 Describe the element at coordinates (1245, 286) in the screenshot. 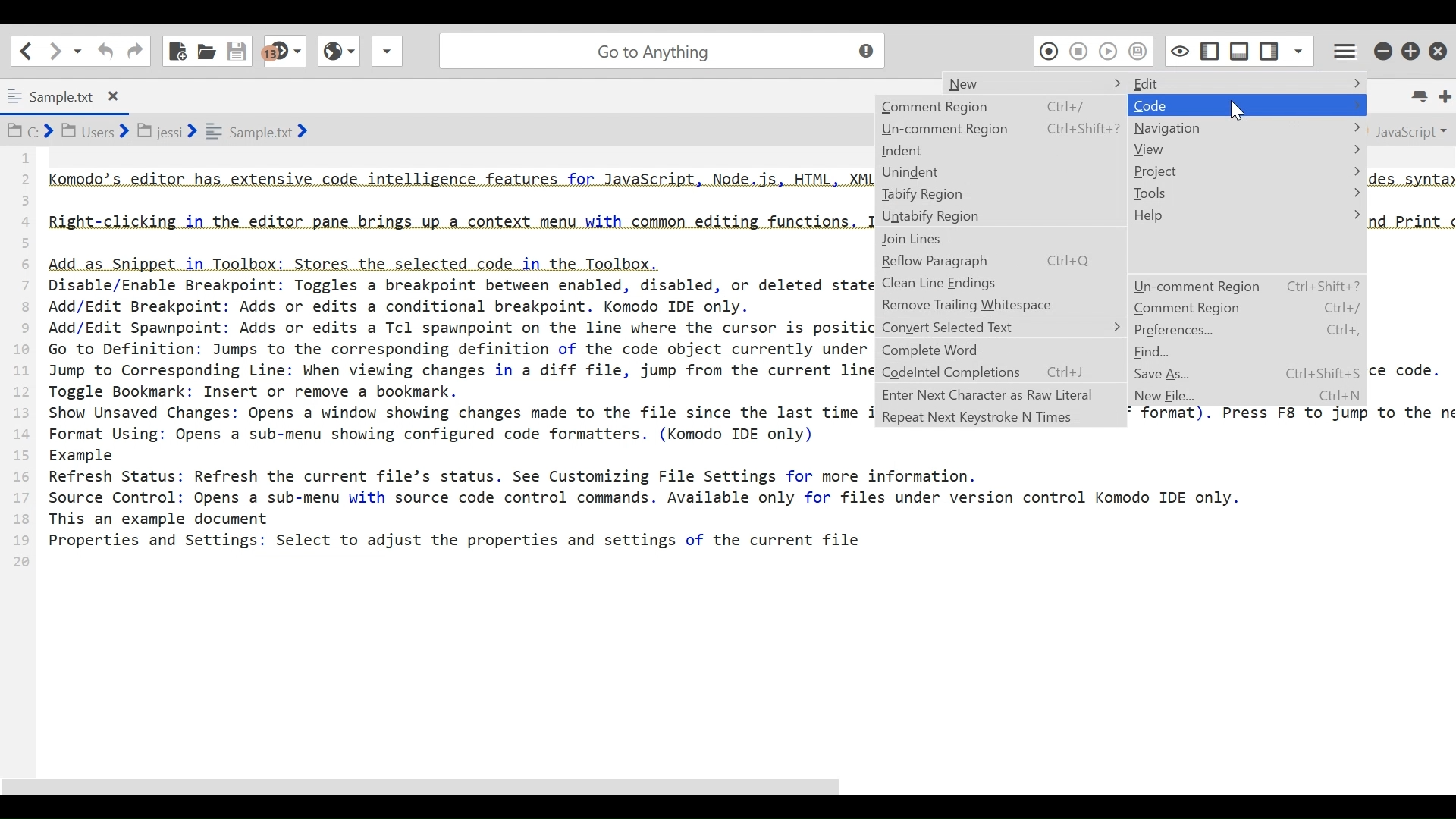

I see `Un-comment region` at that location.